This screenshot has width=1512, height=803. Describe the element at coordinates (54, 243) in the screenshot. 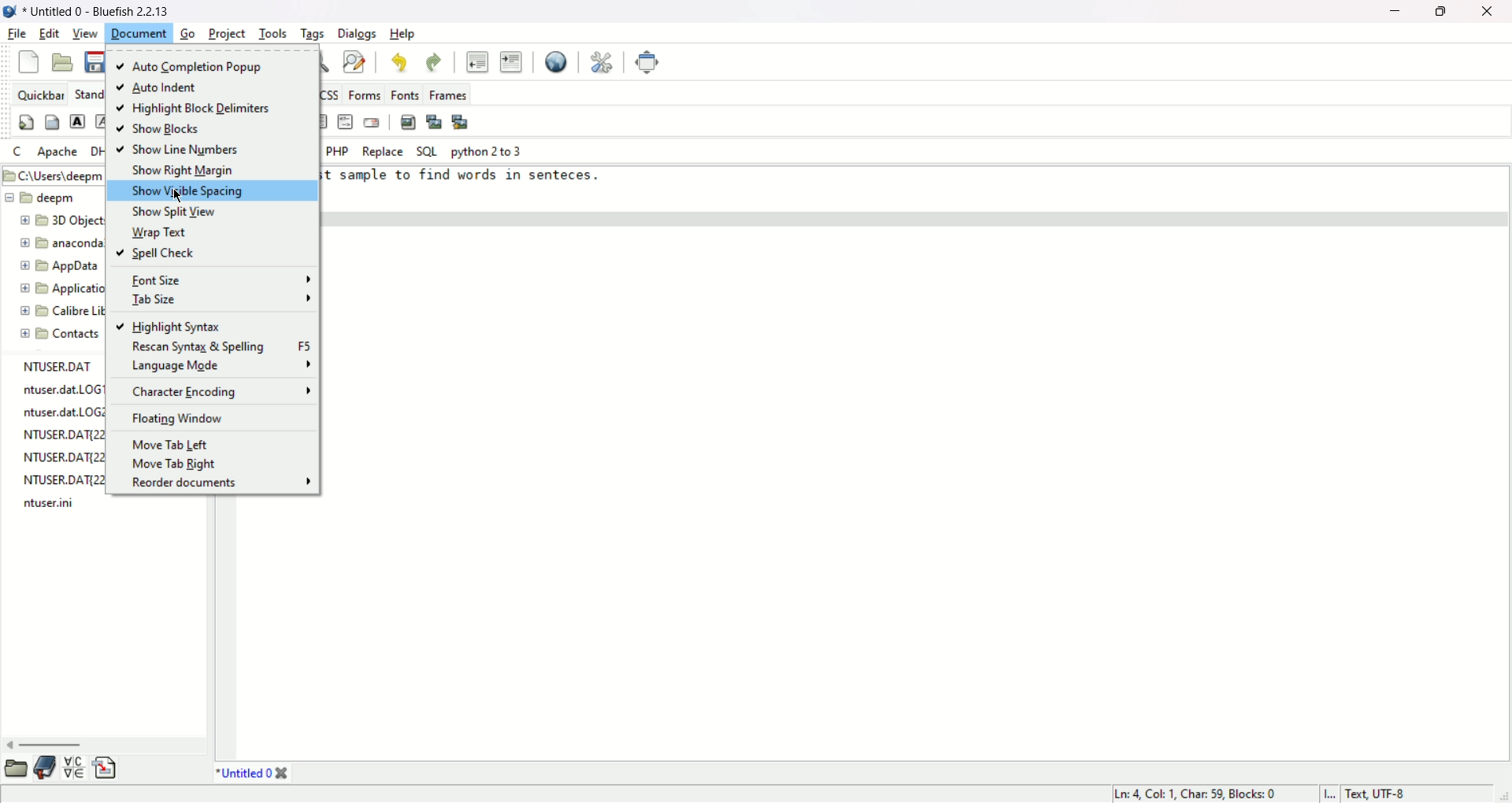

I see `anaconda3` at that location.